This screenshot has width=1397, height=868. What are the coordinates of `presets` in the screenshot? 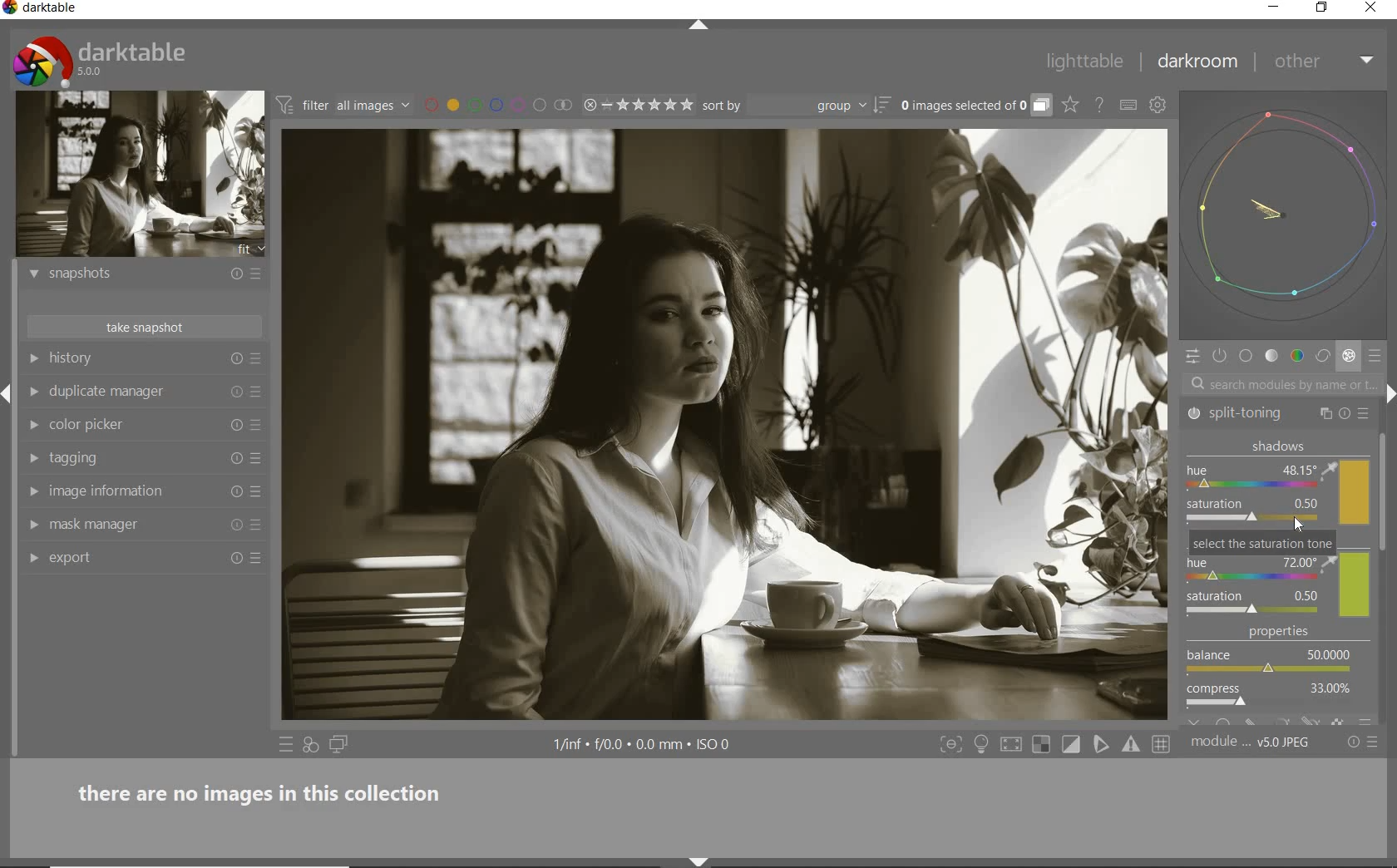 It's located at (1366, 414).